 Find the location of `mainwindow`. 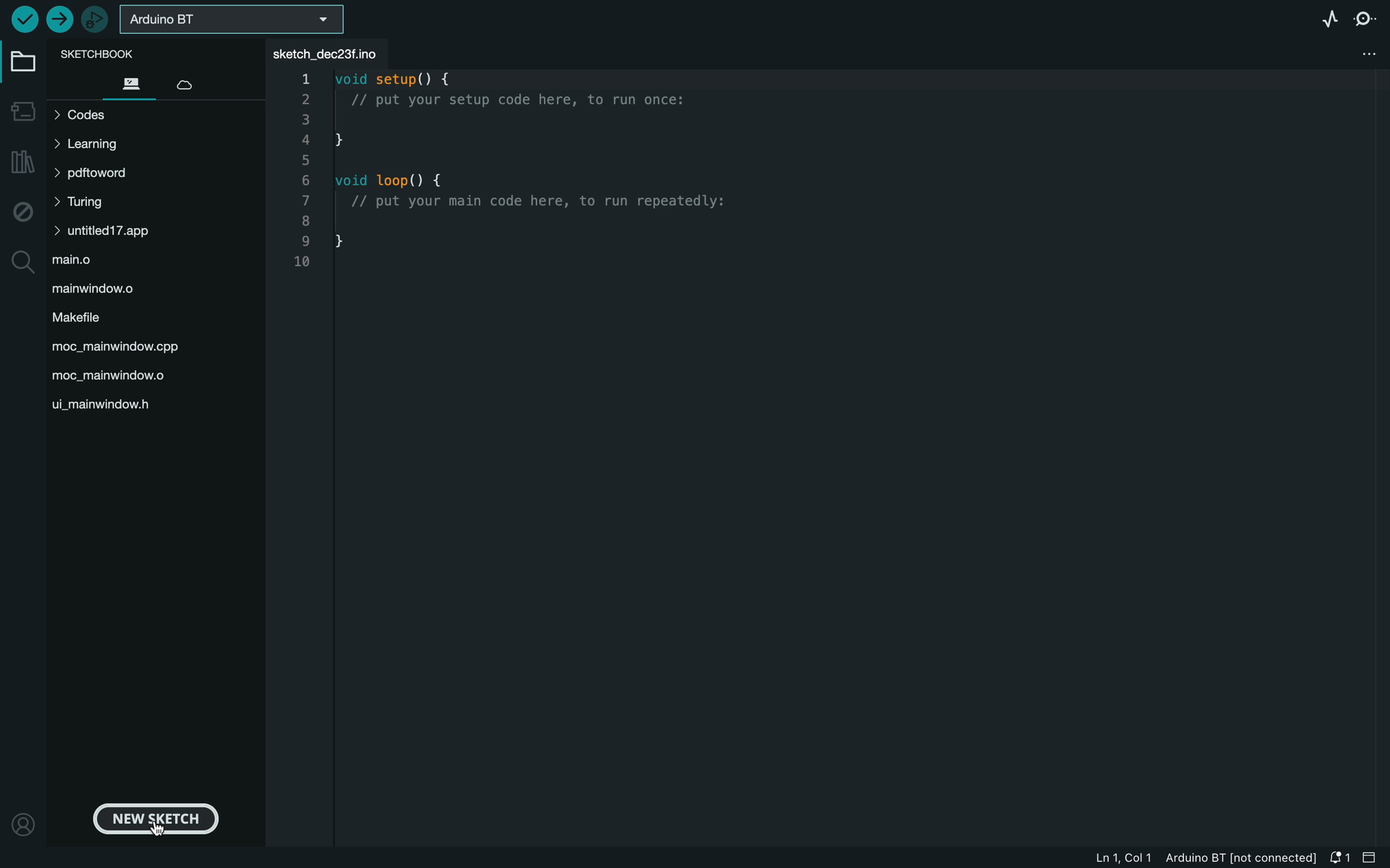

mainwindow is located at coordinates (122, 348).